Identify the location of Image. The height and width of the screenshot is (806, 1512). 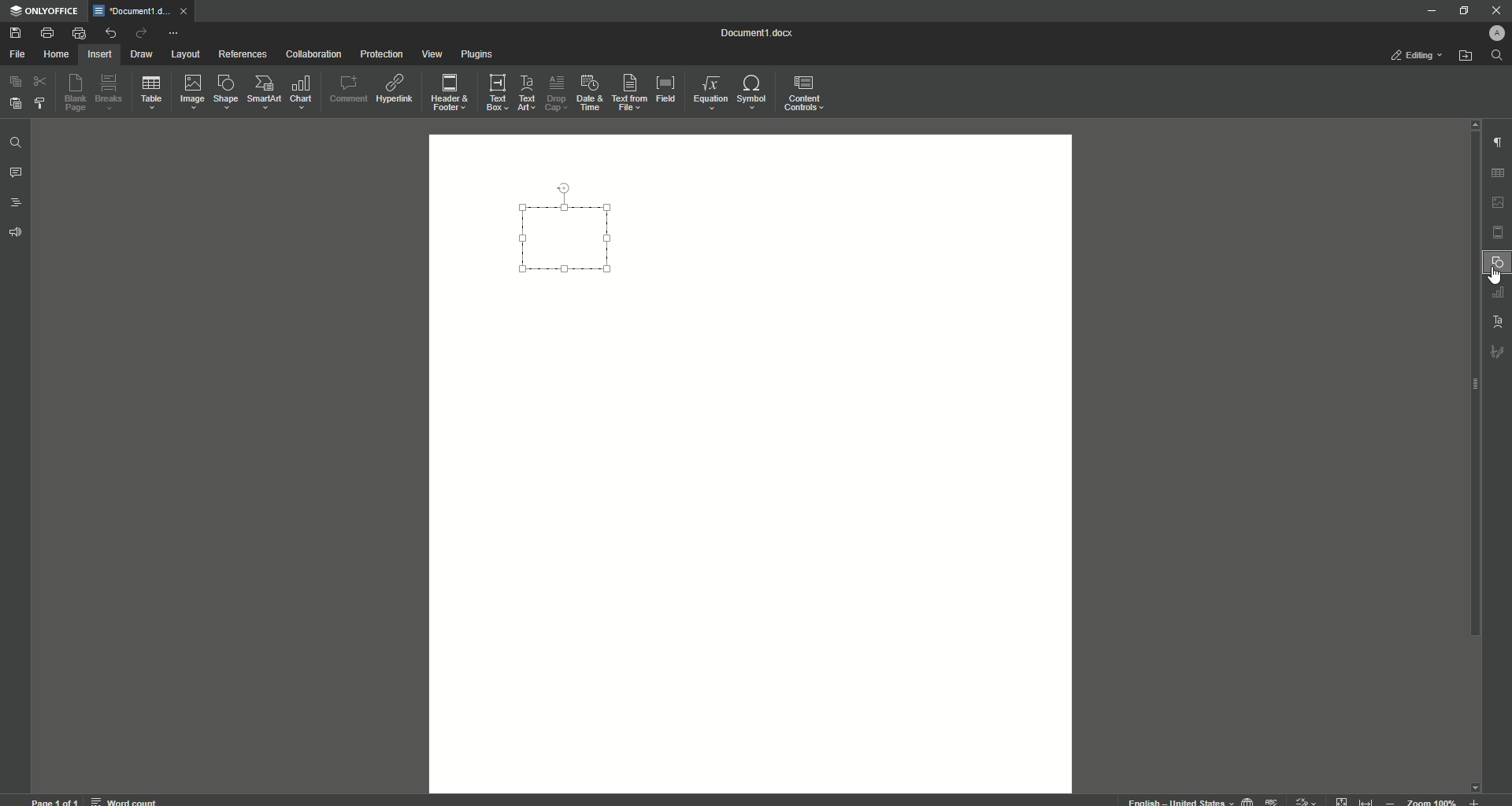
(191, 91).